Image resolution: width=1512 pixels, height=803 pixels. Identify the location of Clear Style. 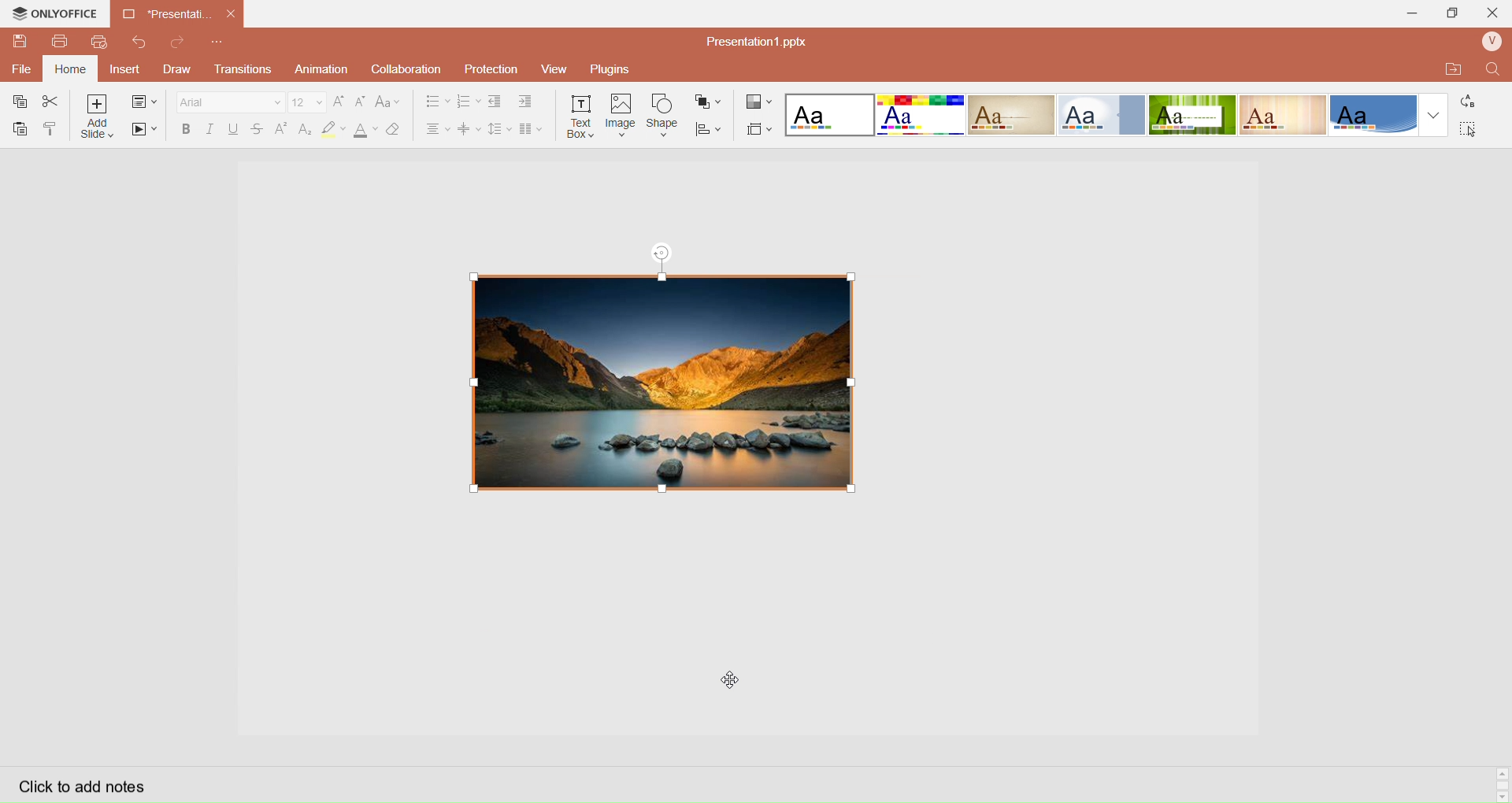
(396, 129).